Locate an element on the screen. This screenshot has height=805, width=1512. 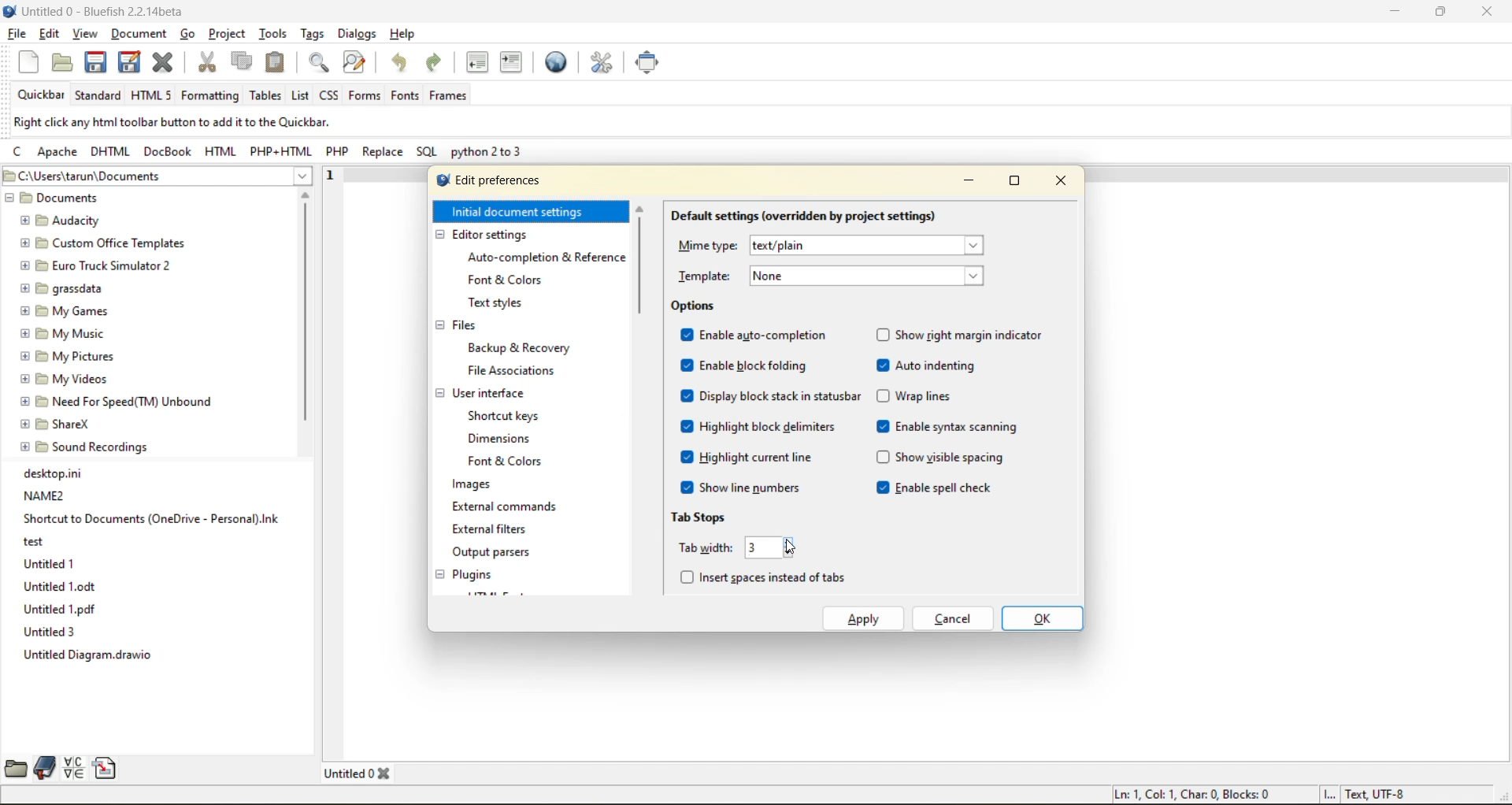
template is located at coordinates (834, 276).